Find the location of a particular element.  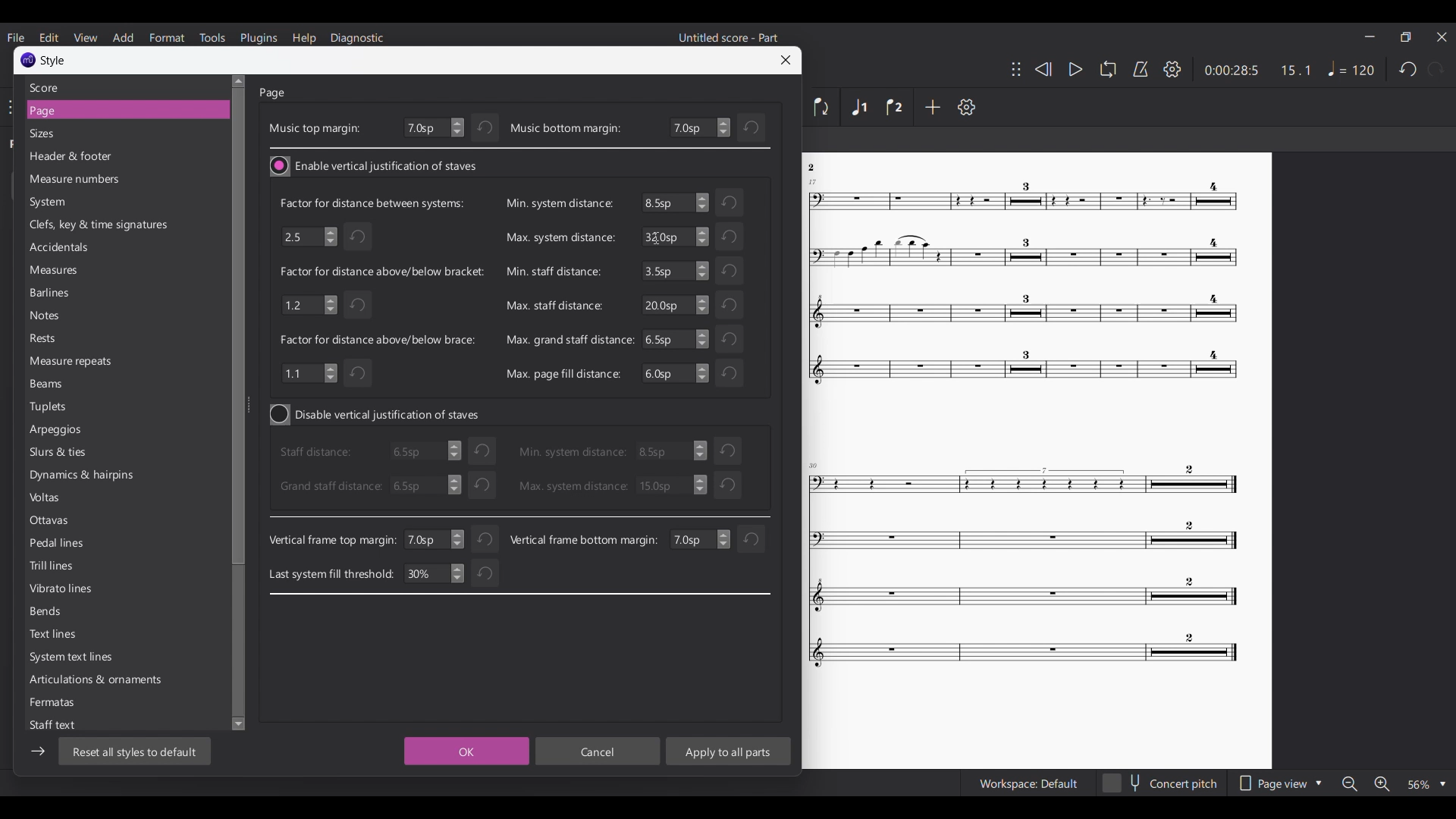

Tools menu is located at coordinates (212, 37).